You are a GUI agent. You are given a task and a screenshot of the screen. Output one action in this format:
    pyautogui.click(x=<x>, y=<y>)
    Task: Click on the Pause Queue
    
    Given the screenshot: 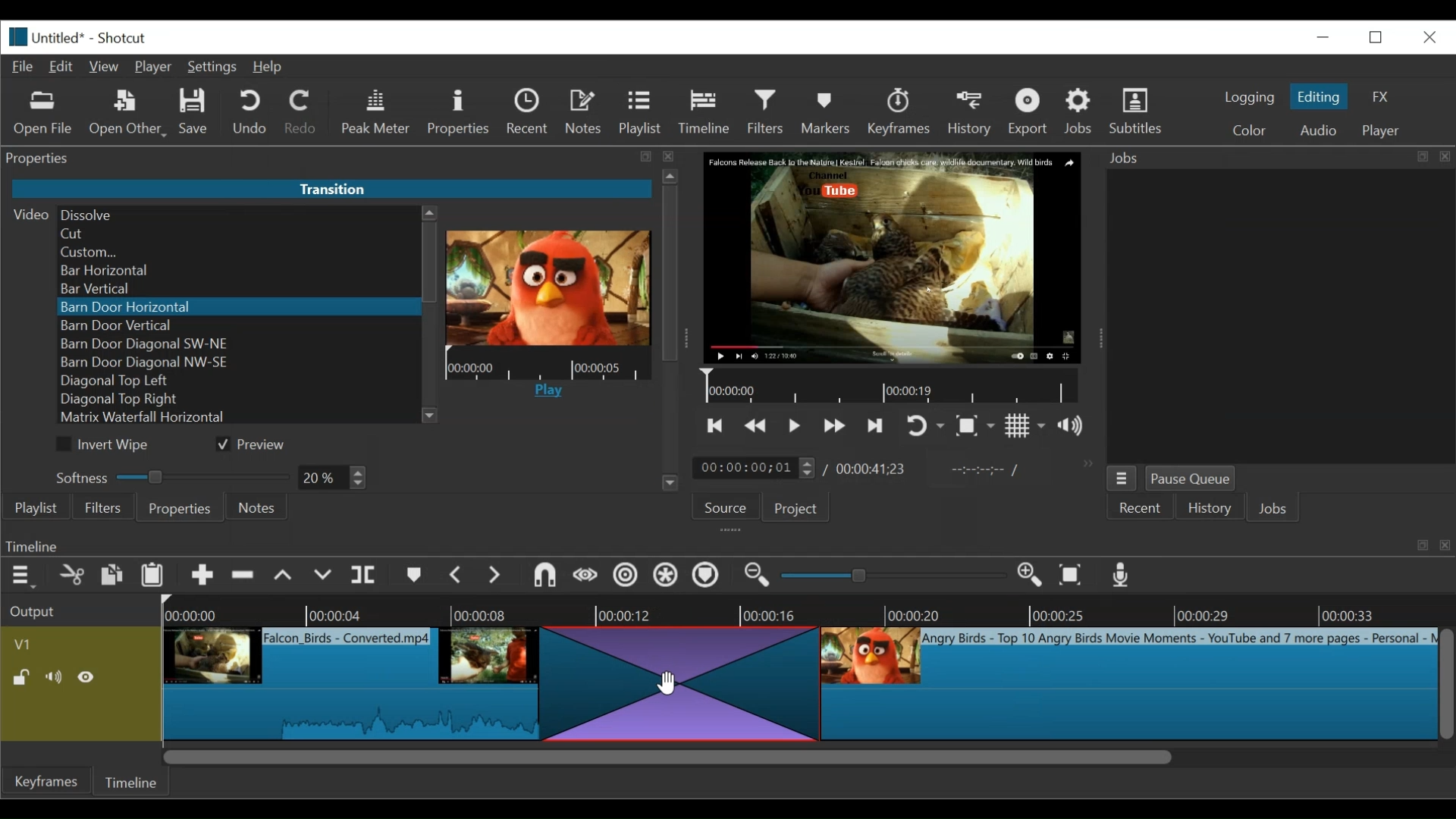 What is the action you would take?
    pyautogui.click(x=1193, y=479)
    